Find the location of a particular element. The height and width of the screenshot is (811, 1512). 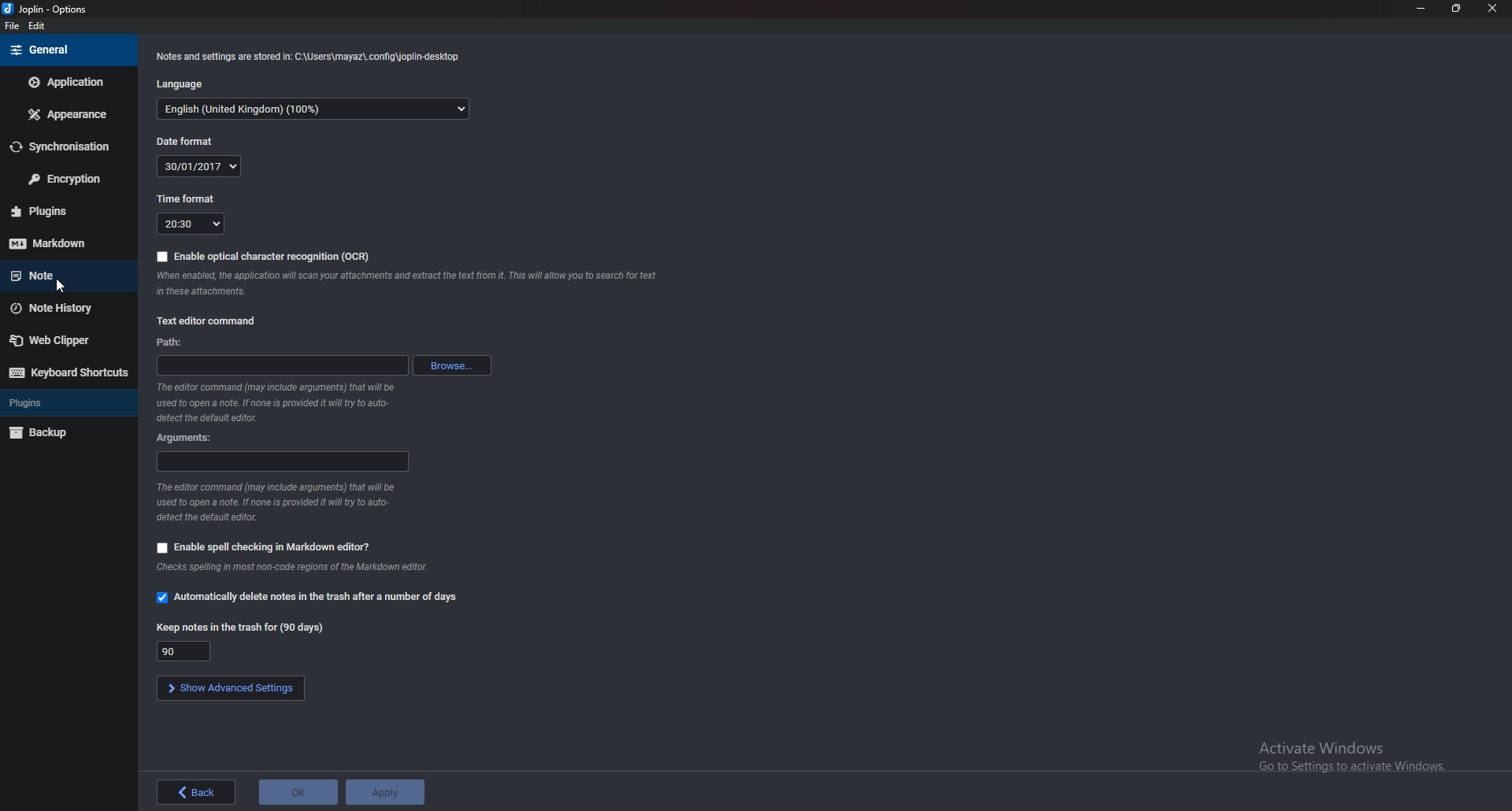

cursor is located at coordinates (62, 287).